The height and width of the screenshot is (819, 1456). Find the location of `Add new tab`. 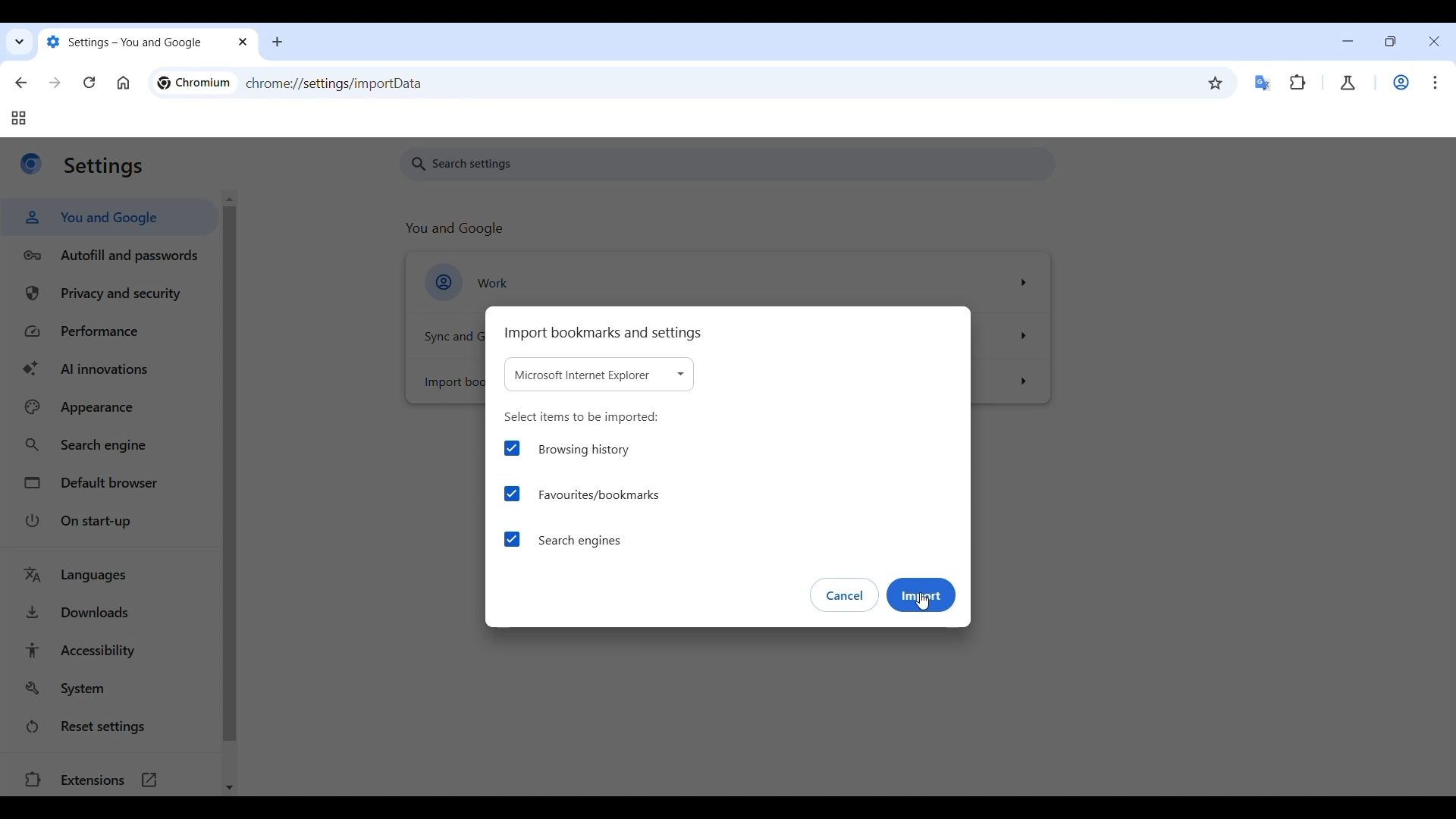

Add new tab is located at coordinates (278, 42).